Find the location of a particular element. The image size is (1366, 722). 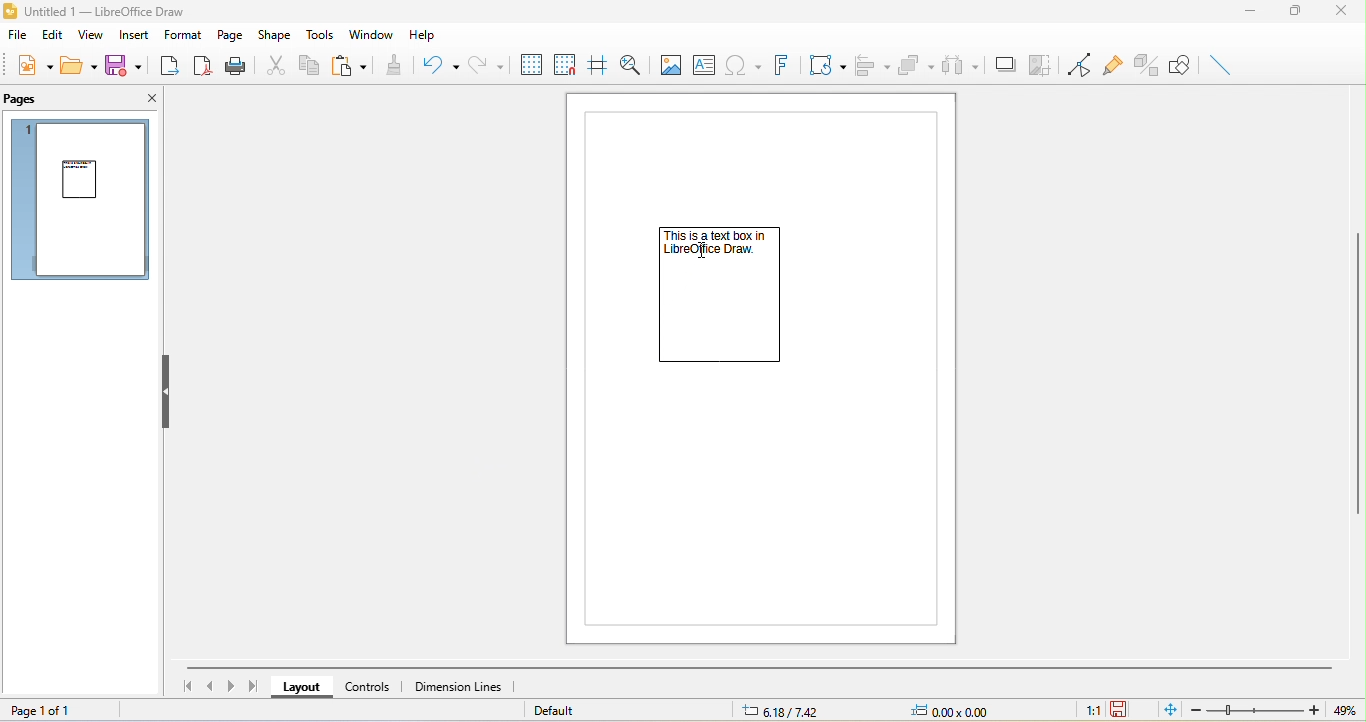

file is located at coordinates (20, 36).